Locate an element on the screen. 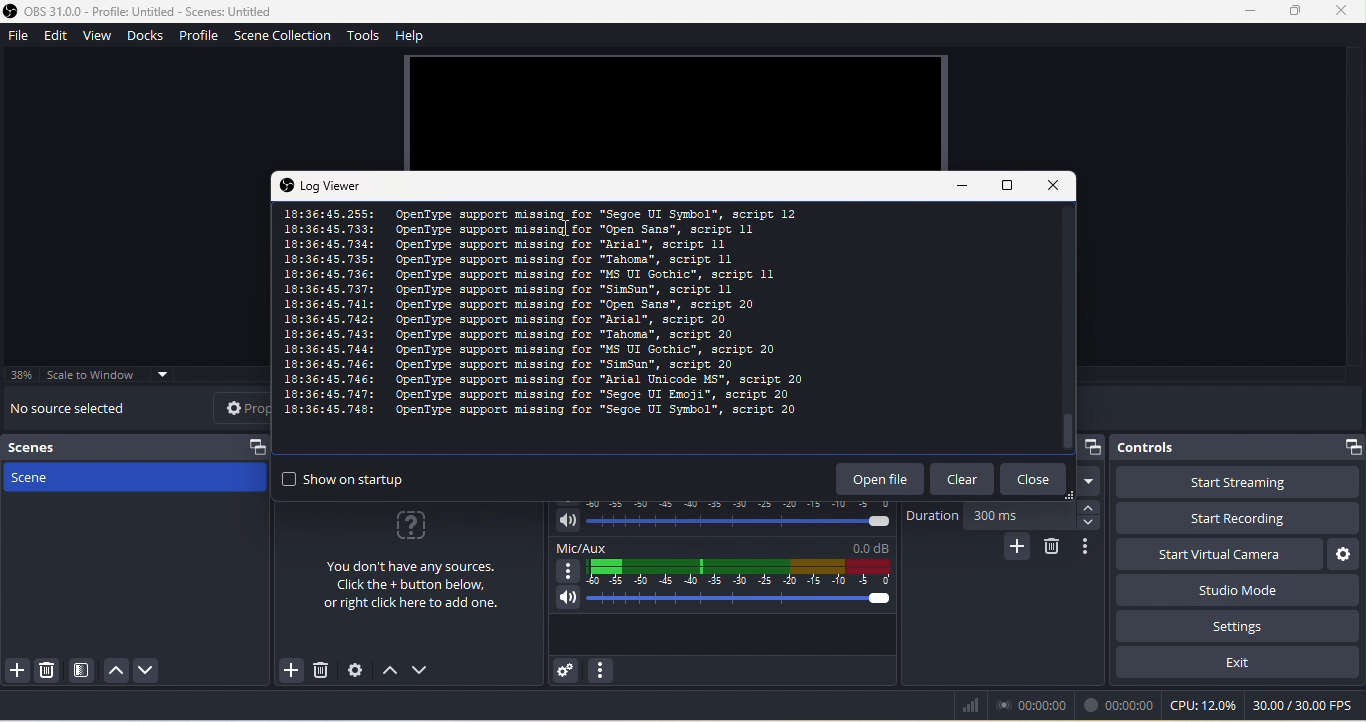 The width and height of the screenshot is (1366, 722). setting is located at coordinates (1235, 627).